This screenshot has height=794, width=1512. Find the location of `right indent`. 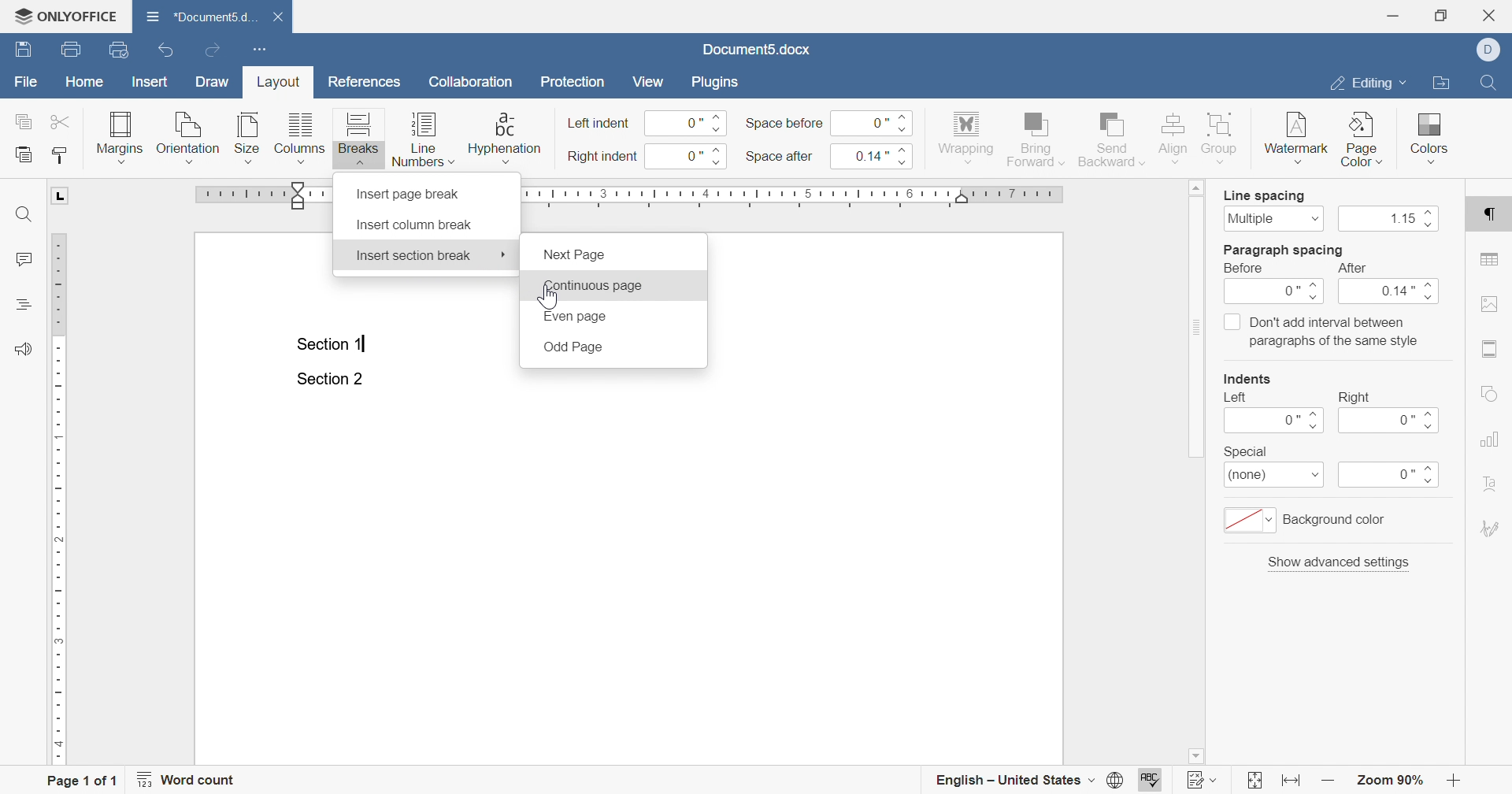

right indent is located at coordinates (603, 157).